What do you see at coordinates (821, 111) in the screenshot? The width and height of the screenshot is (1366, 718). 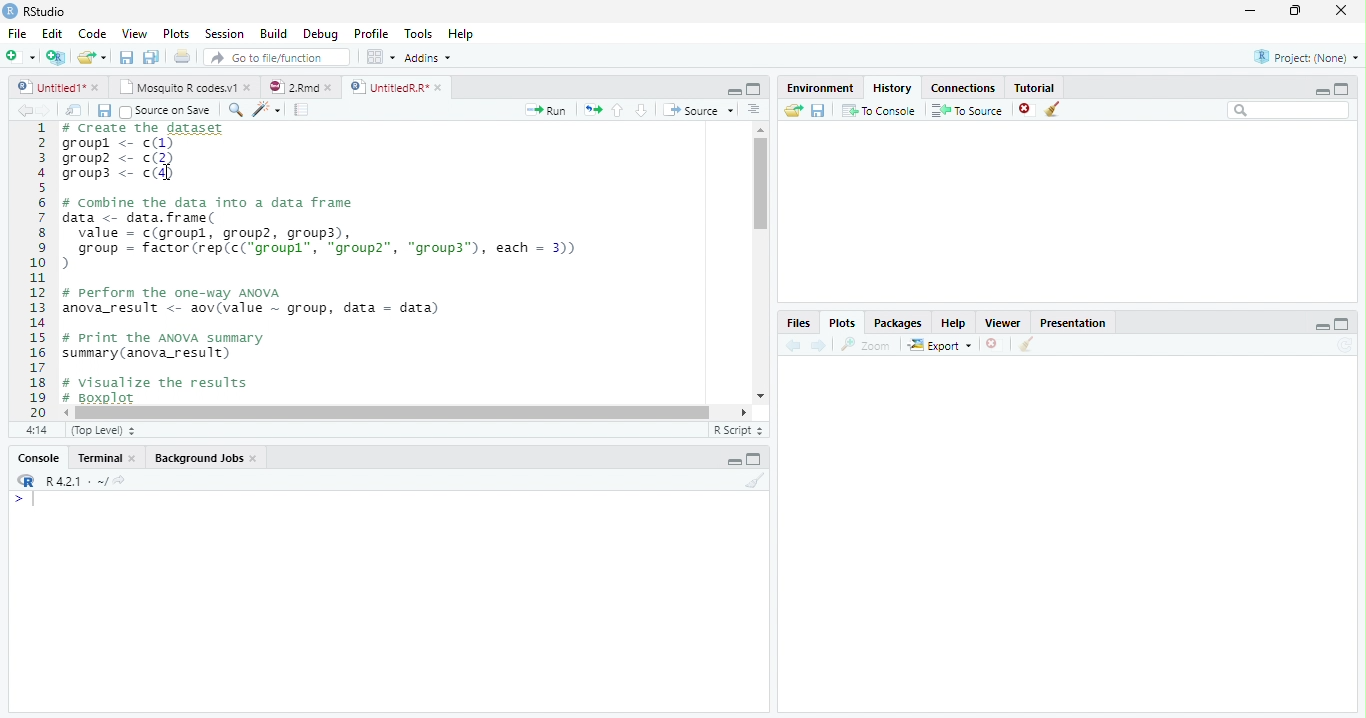 I see `Save workspace as ` at bounding box center [821, 111].